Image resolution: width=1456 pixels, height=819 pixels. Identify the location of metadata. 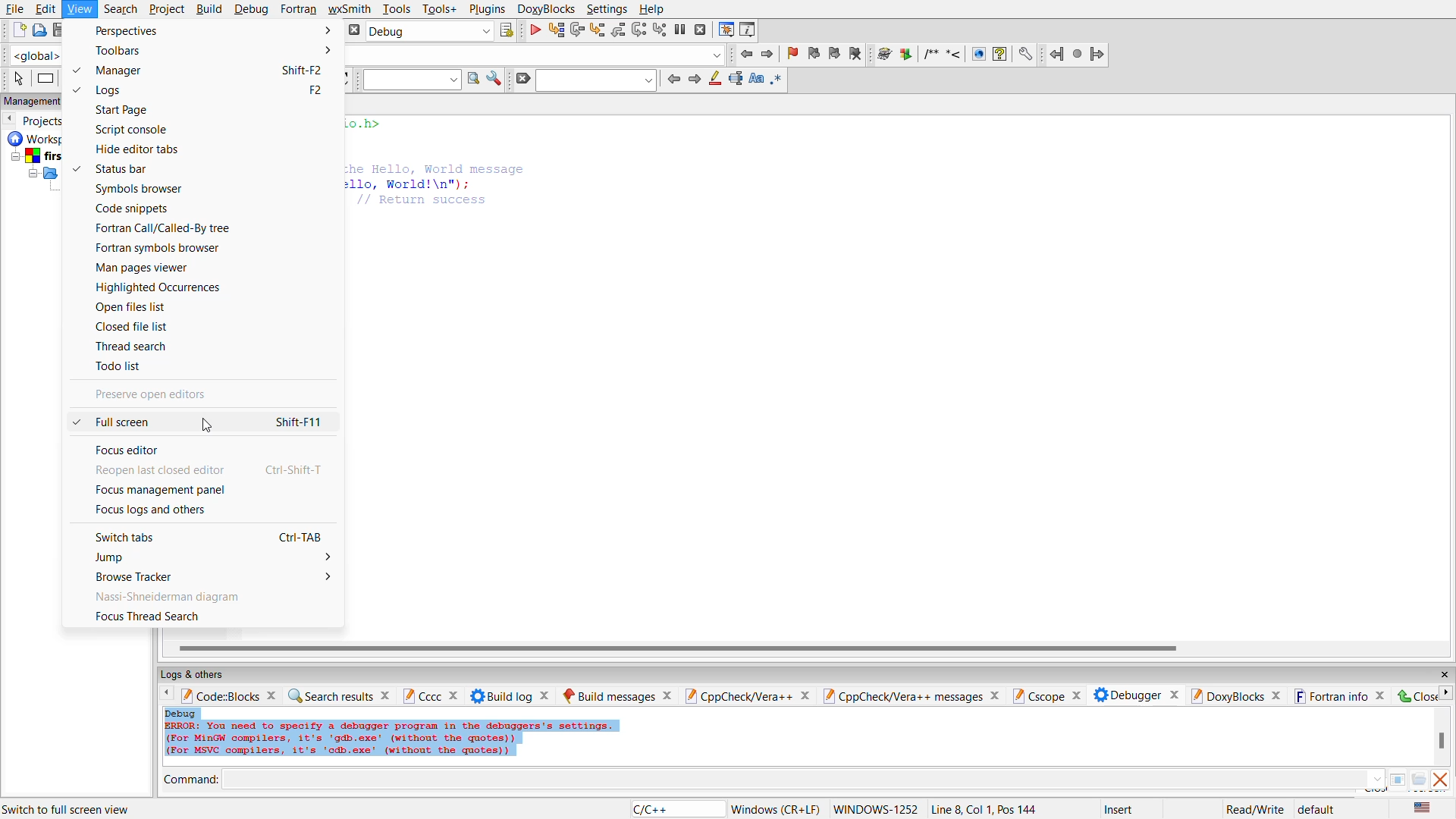
(1041, 808).